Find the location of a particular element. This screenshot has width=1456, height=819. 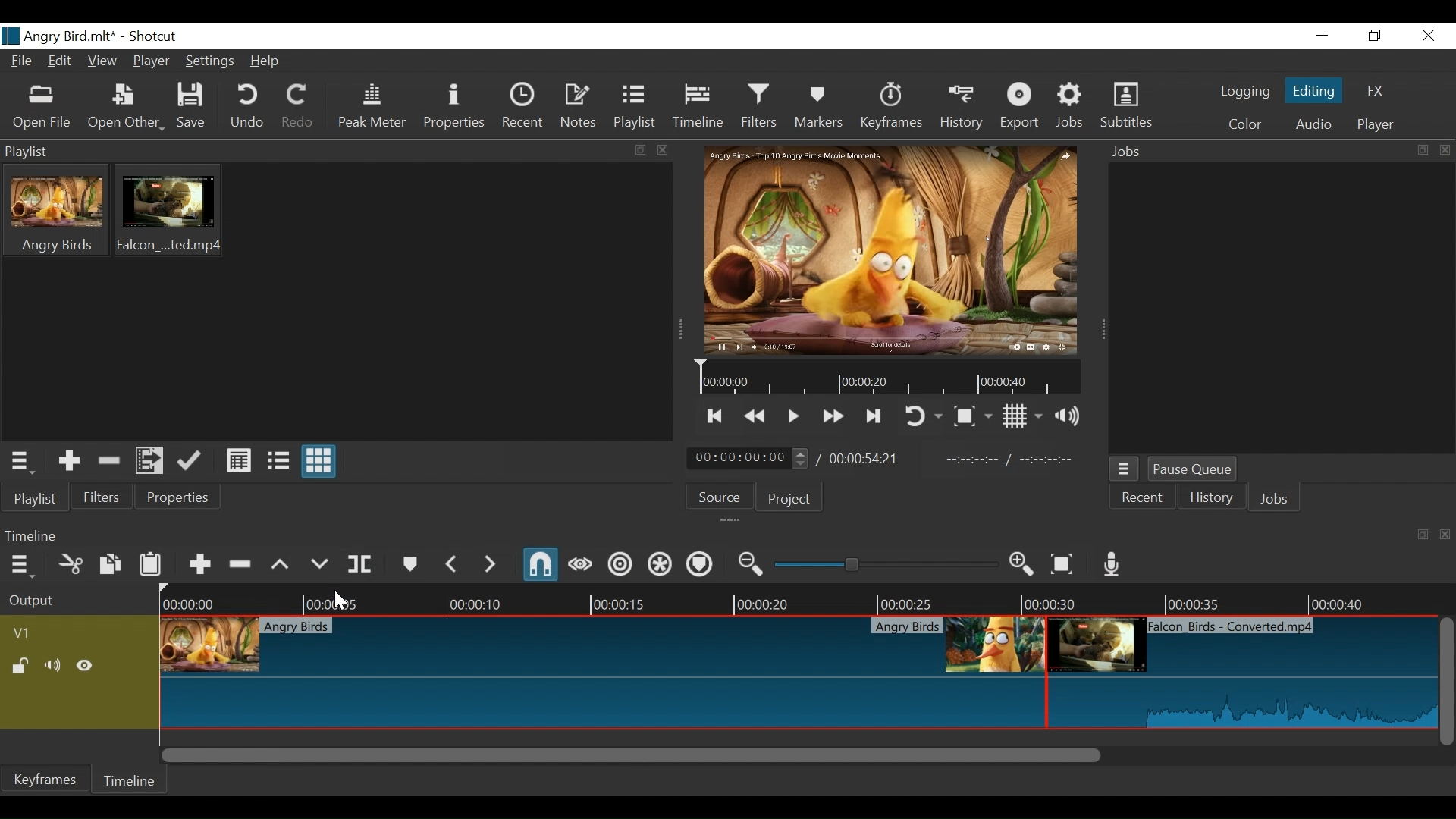

Undo is located at coordinates (249, 108).